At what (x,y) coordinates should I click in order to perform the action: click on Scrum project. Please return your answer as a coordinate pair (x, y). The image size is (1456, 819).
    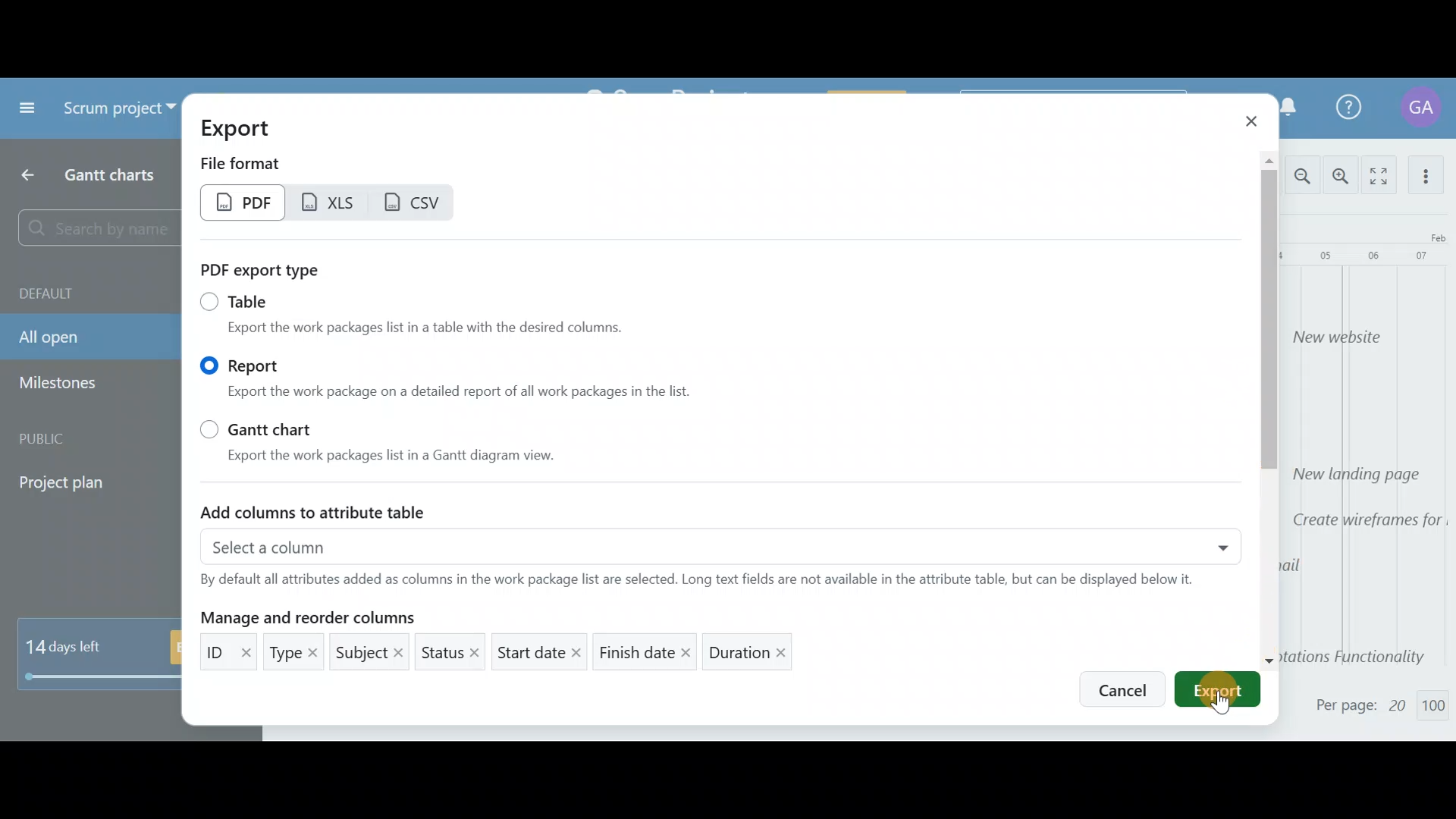
    Looking at the image, I should click on (118, 108).